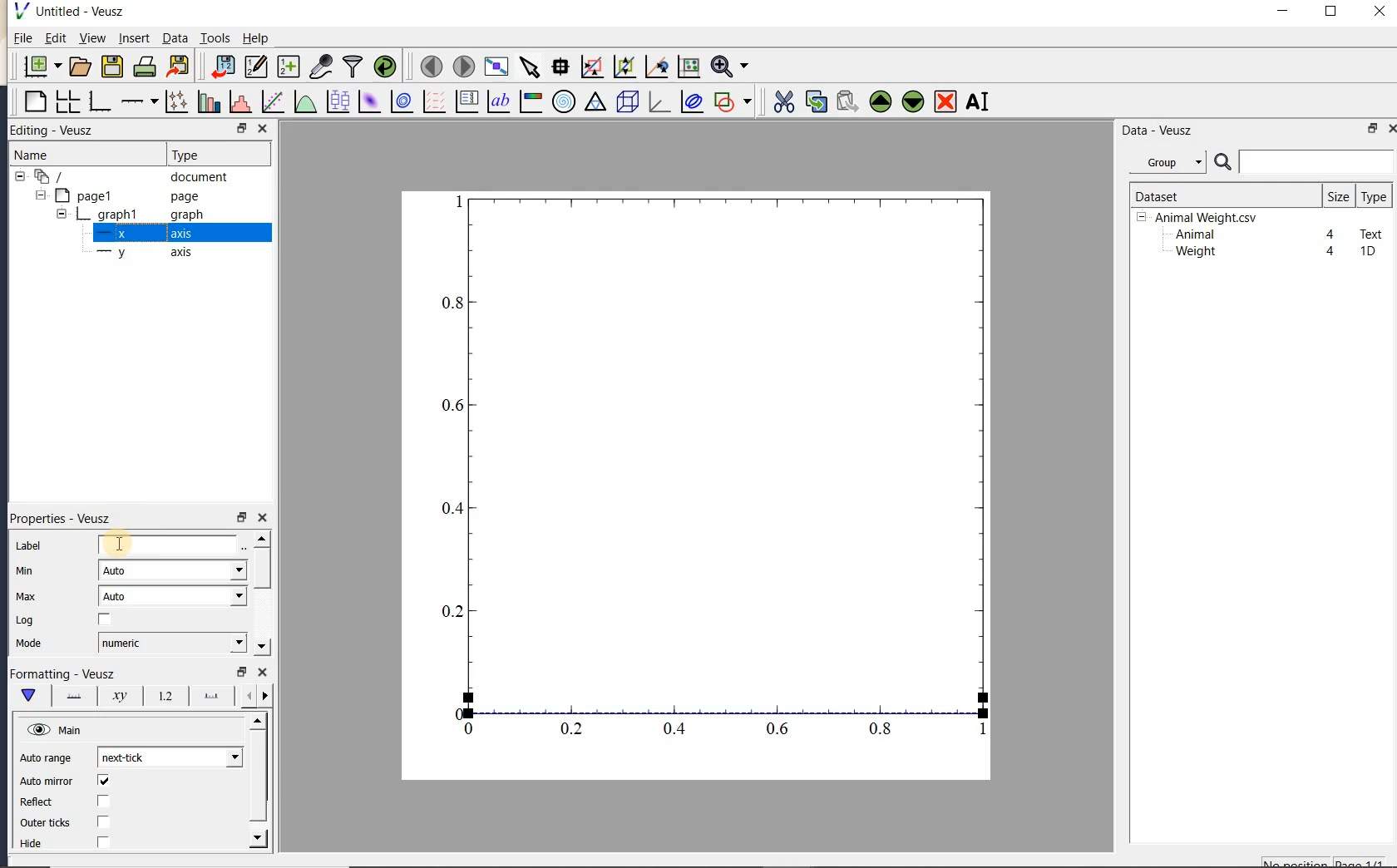 The width and height of the screenshot is (1397, 868). What do you see at coordinates (498, 103) in the screenshot?
I see `text label` at bounding box center [498, 103].